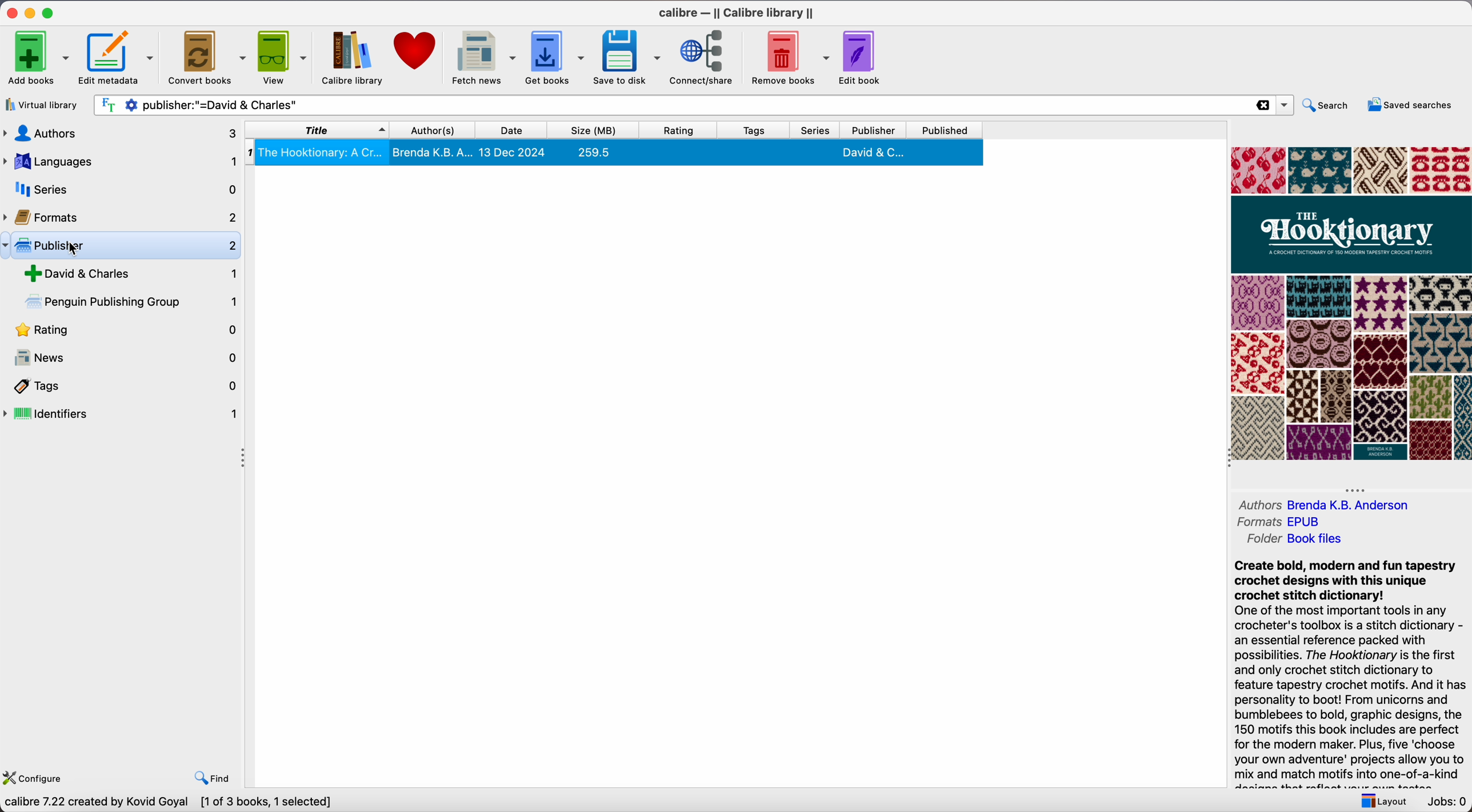  What do you see at coordinates (1323, 504) in the screenshot?
I see `Authors Brenda  K.B. Anderson` at bounding box center [1323, 504].